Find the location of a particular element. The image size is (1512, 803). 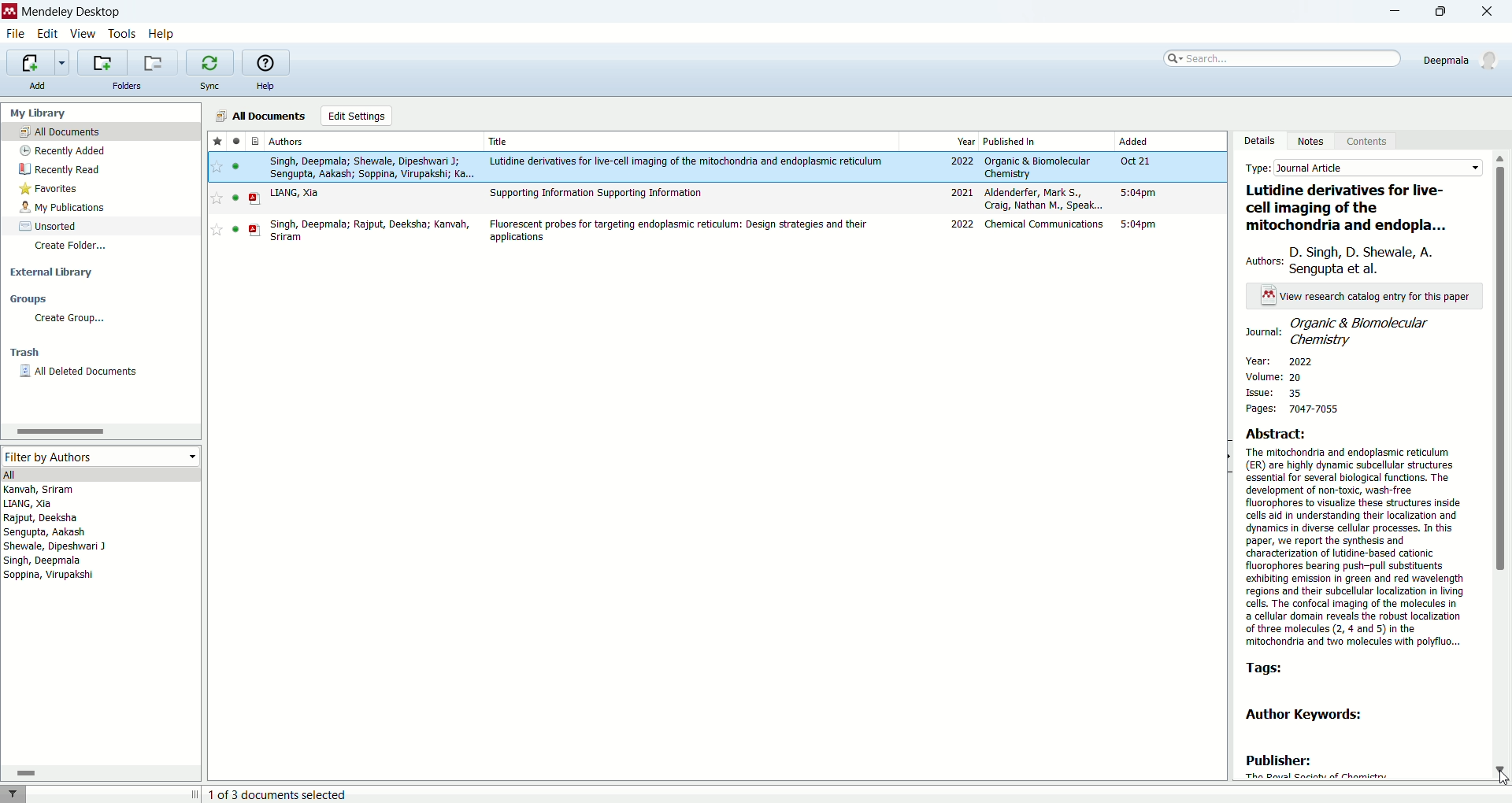

year is located at coordinates (966, 142).